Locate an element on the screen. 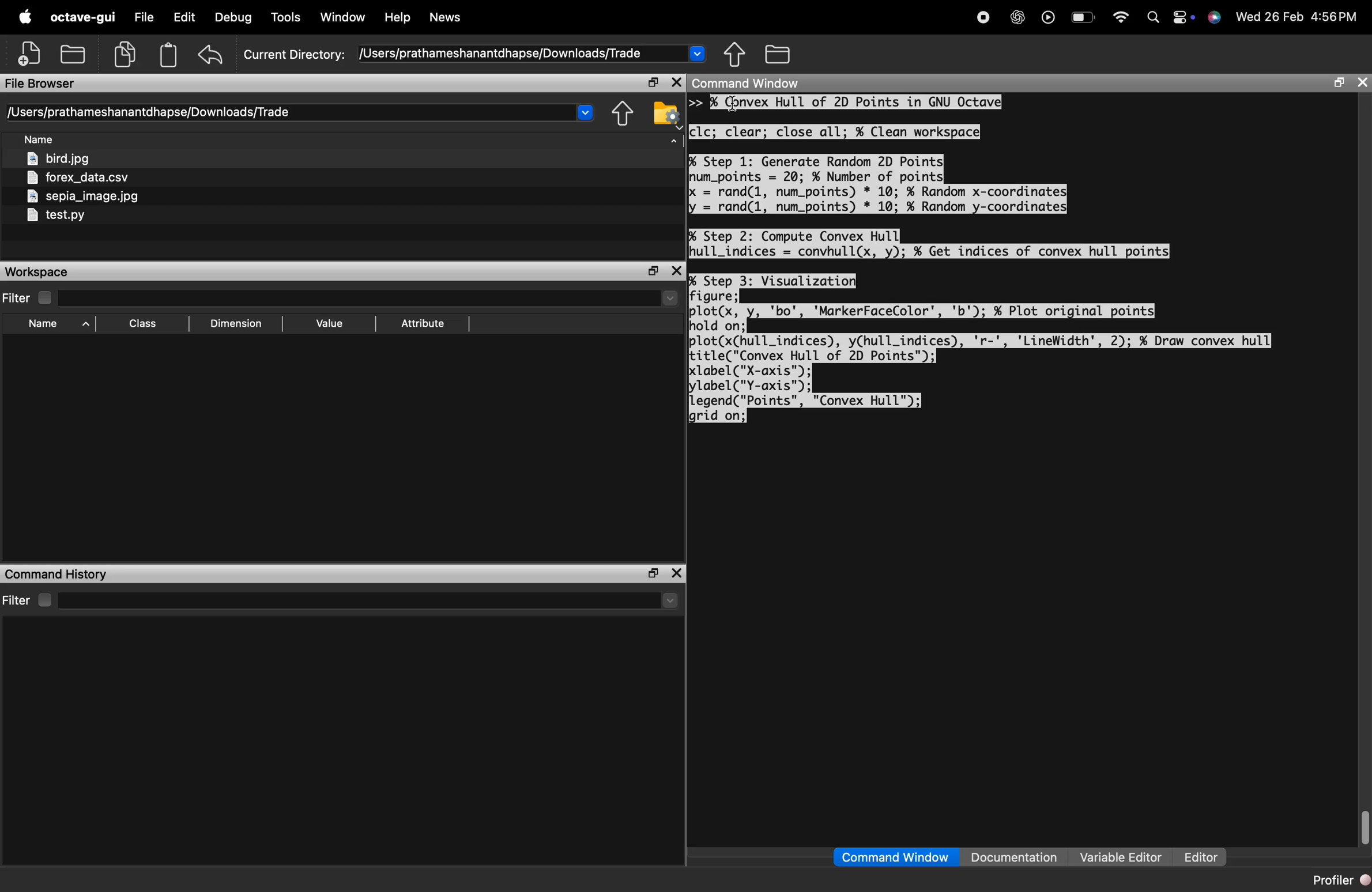 The height and width of the screenshot is (892, 1372). >> % Convex Hull of 2D Points in GNU Octave is located at coordinates (847, 103).